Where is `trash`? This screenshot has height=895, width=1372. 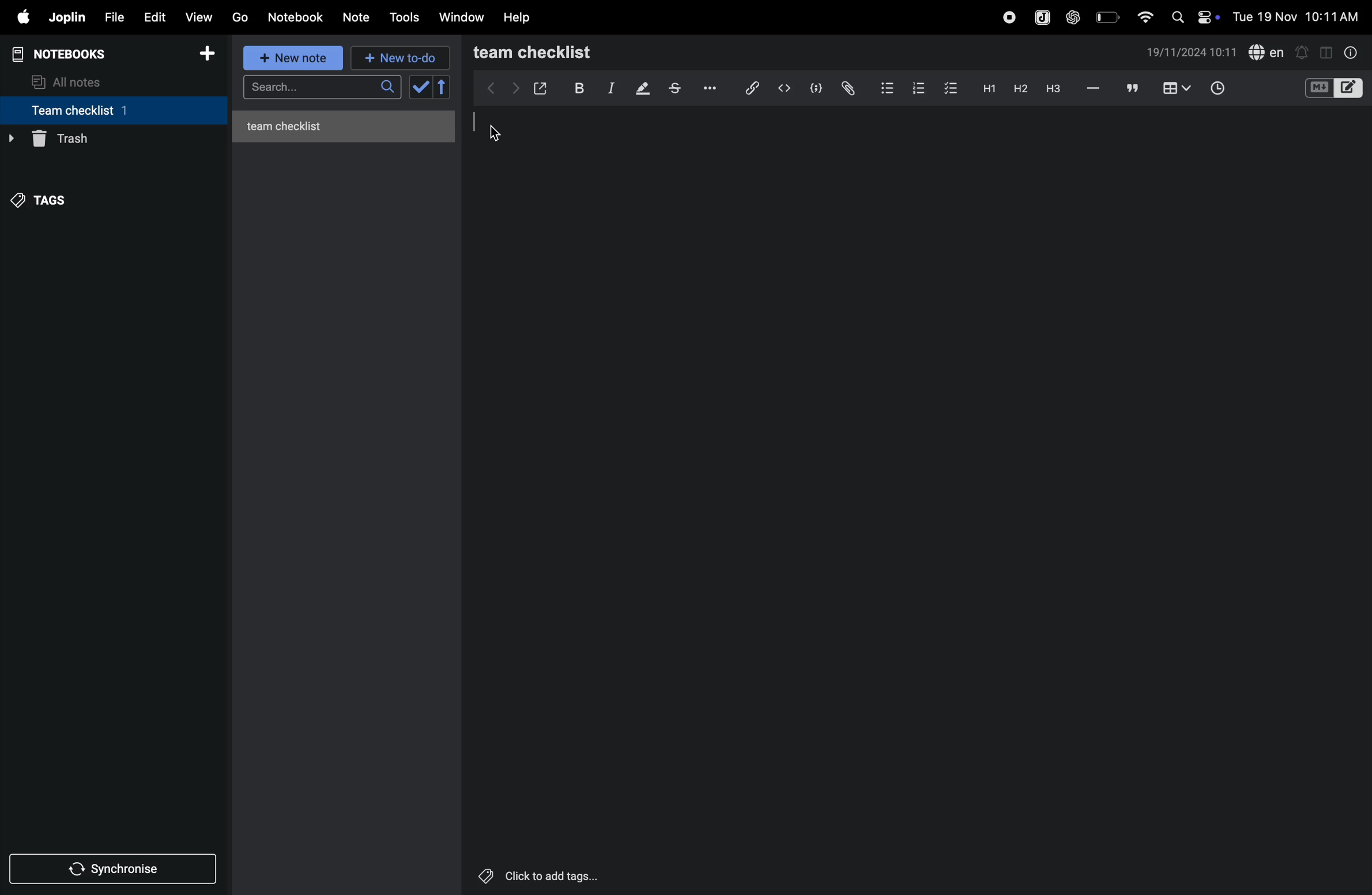
trash is located at coordinates (109, 139).